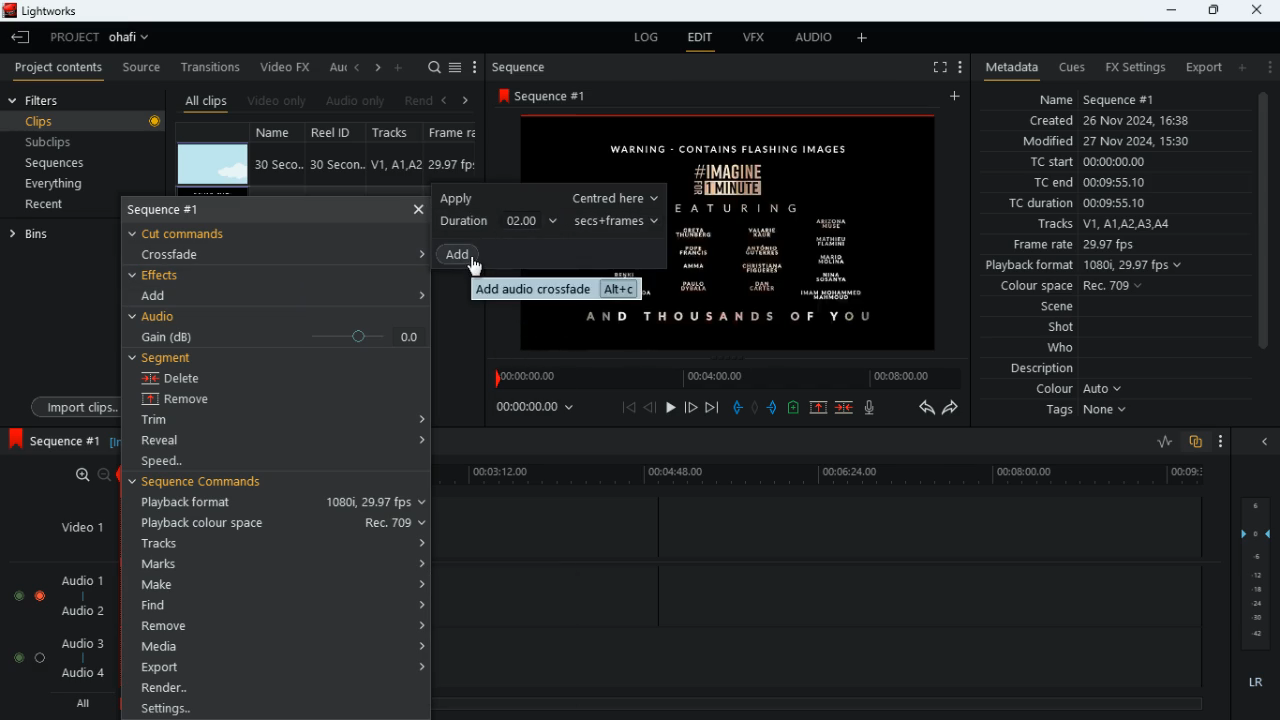 The width and height of the screenshot is (1280, 720). I want to click on end, so click(714, 409).